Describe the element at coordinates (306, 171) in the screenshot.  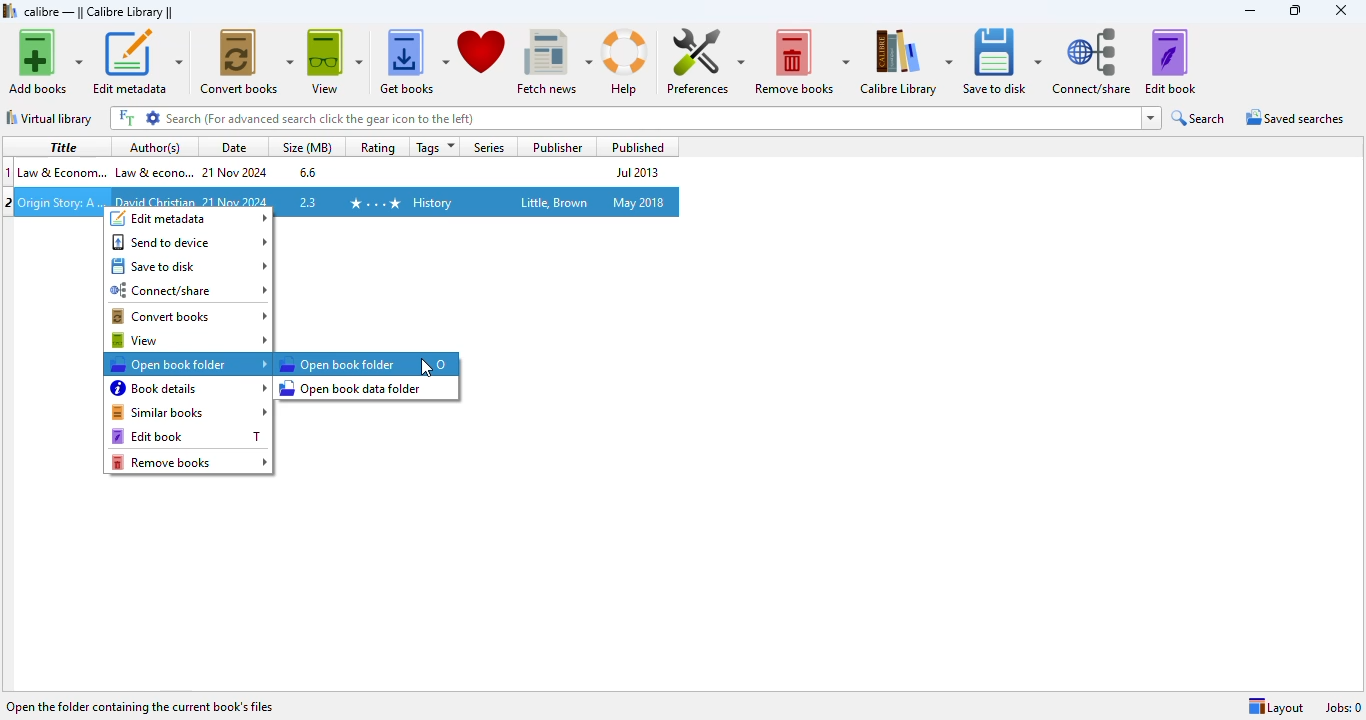
I see `6.6` at that location.